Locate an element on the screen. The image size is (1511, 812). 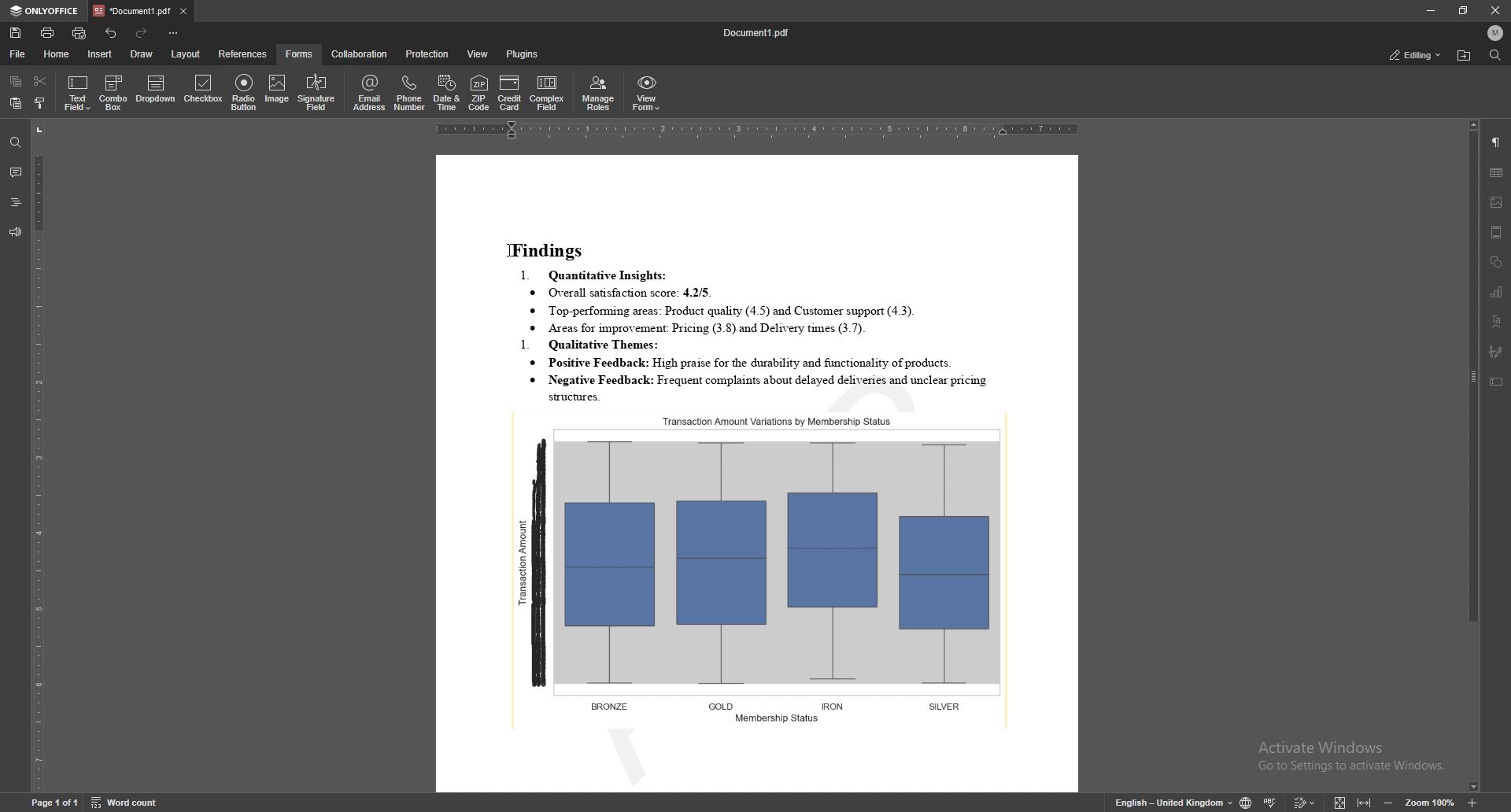
scroll up is located at coordinates (1472, 125).